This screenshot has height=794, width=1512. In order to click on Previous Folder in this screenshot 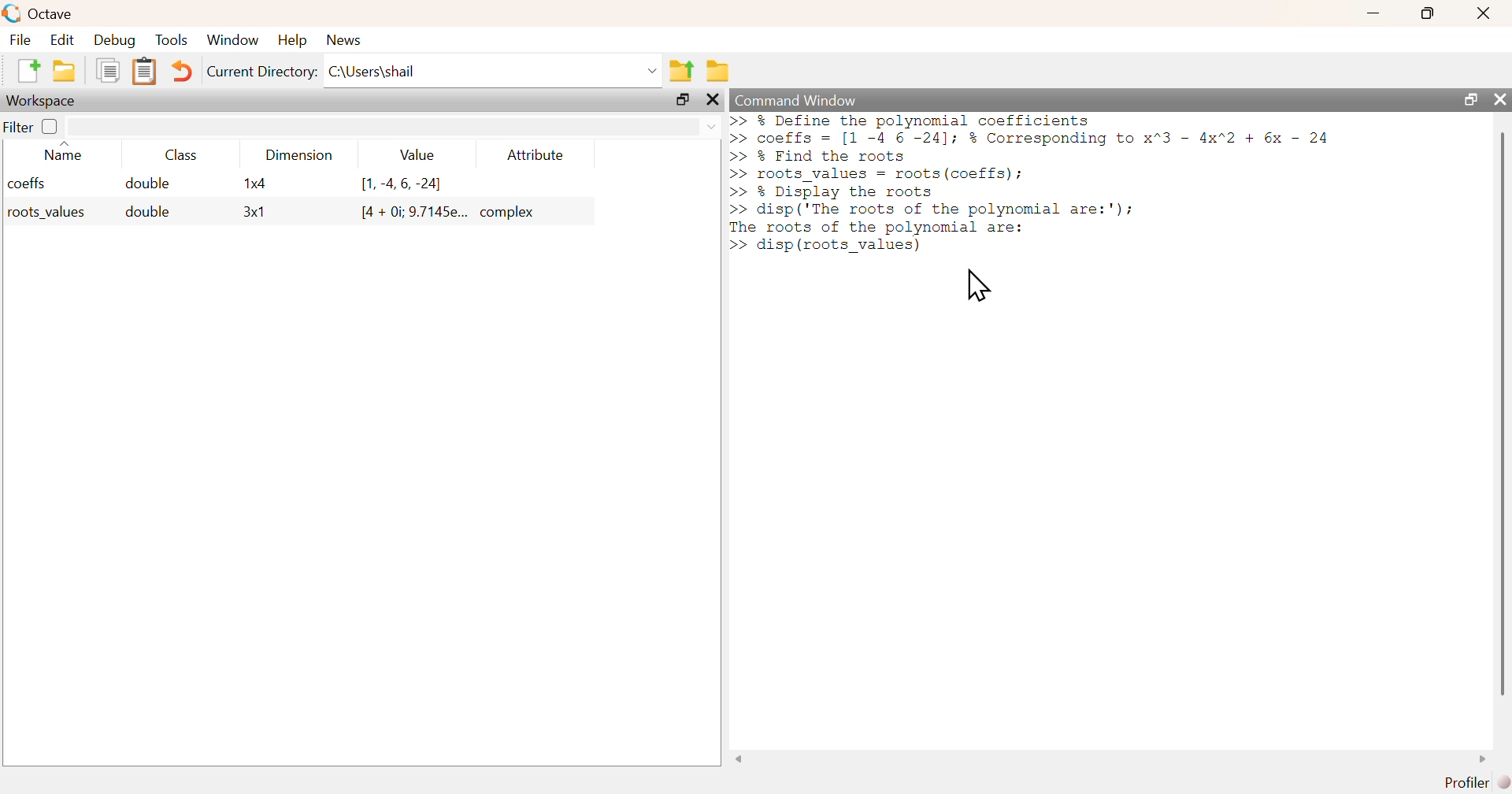, I will do `click(681, 70)`.